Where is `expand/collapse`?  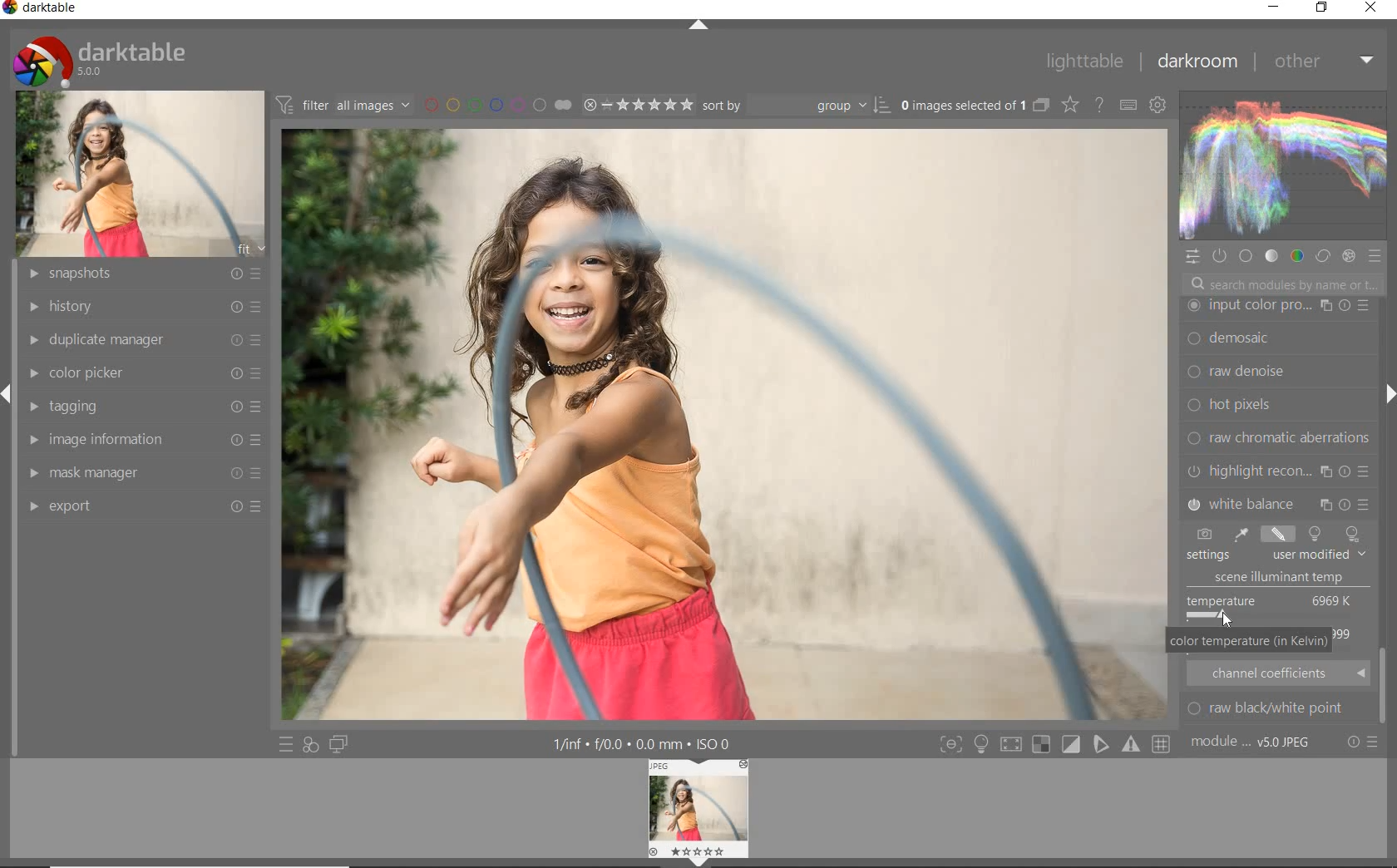
expand/collapse is located at coordinates (1385, 397).